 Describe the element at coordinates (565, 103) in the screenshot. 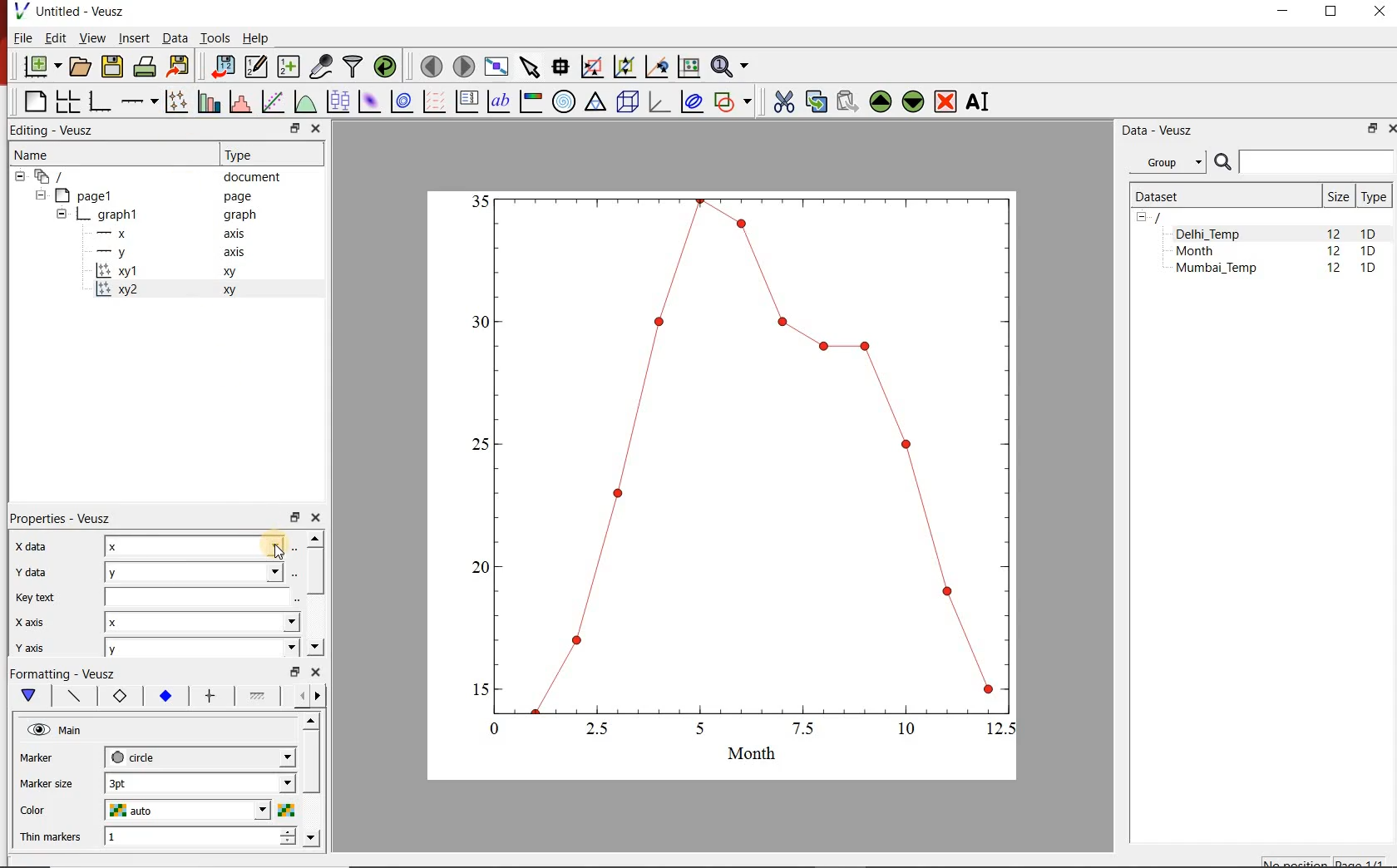

I see `polar graph` at that location.